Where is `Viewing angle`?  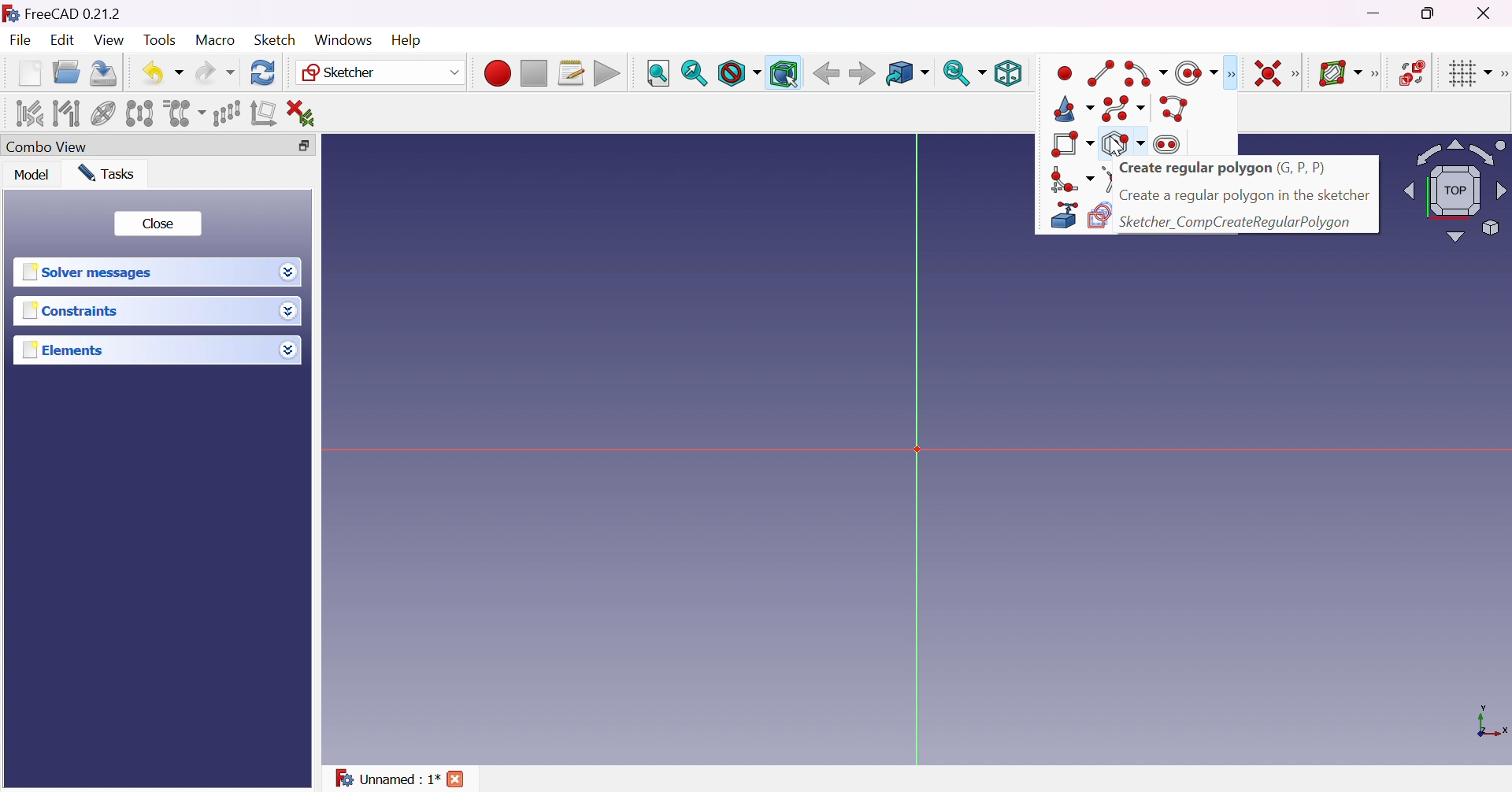
Viewing angle is located at coordinates (1454, 189).